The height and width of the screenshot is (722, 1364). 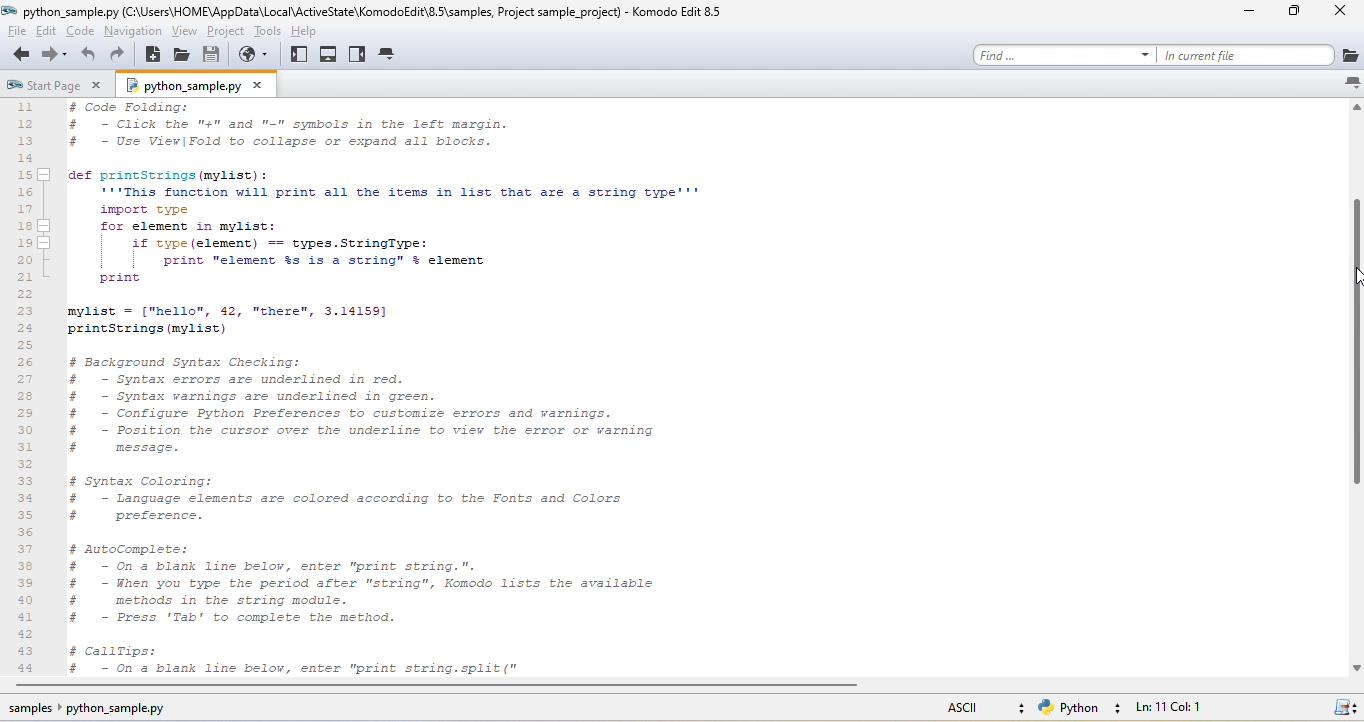 What do you see at coordinates (1355, 108) in the screenshot?
I see `scroll up` at bounding box center [1355, 108].